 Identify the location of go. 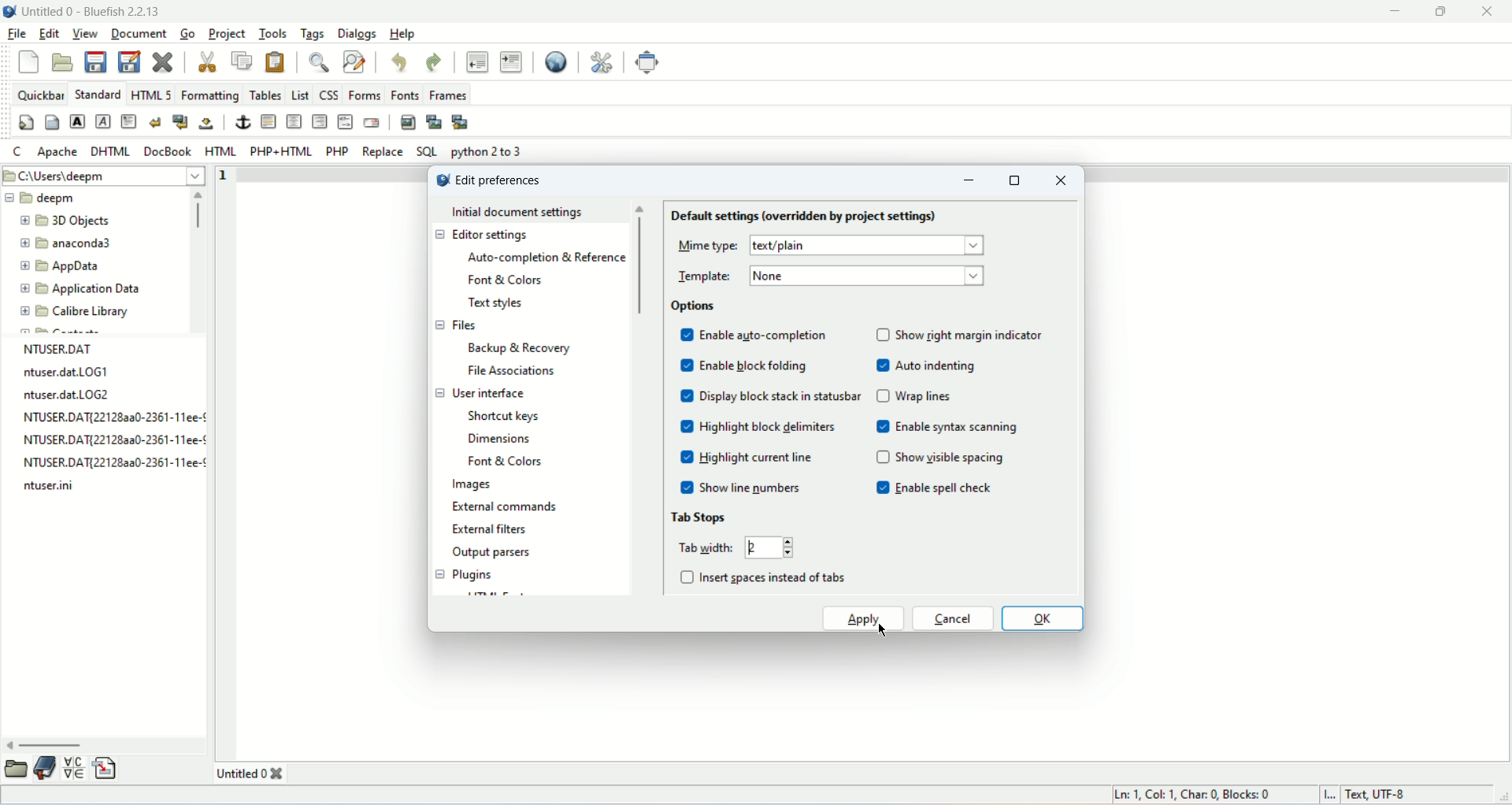
(186, 34).